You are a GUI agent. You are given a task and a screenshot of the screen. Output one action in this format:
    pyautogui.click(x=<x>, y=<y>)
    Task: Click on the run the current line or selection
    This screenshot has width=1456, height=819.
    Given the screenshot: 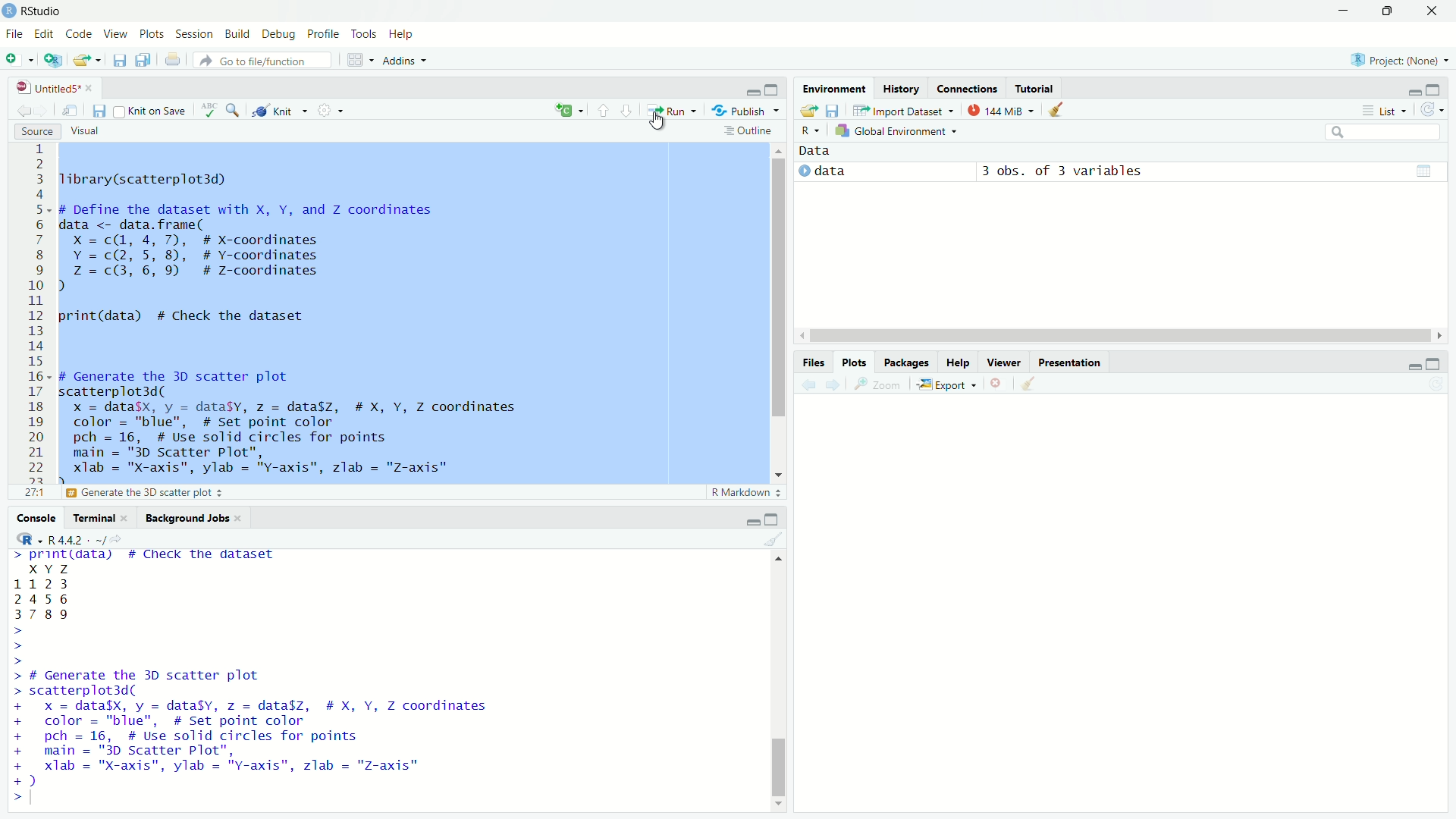 What is the action you would take?
    pyautogui.click(x=673, y=111)
    